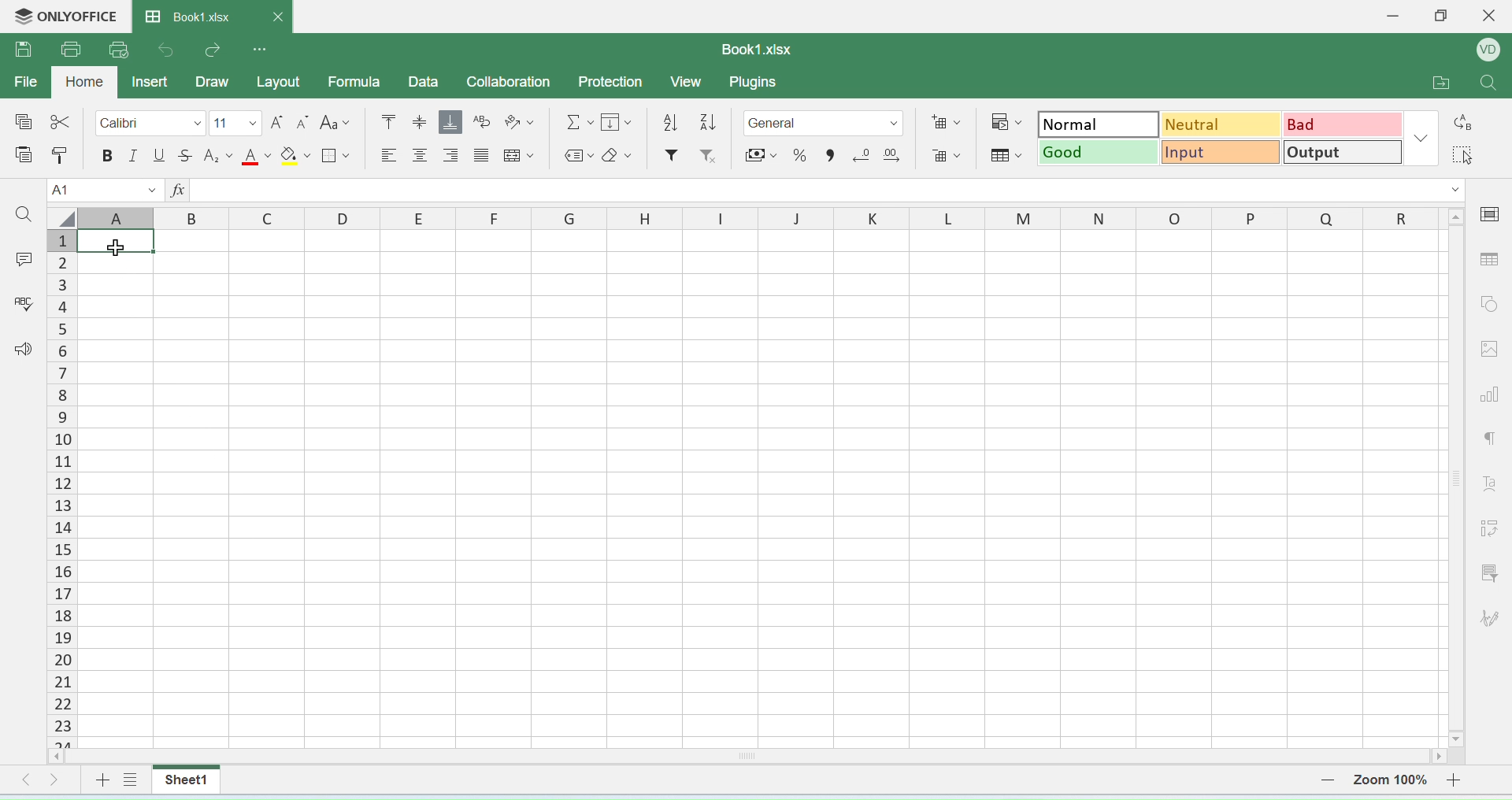 The height and width of the screenshot is (800, 1512). What do you see at coordinates (710, 122) in the screenshot?
I see `ascending order` at bounding box center [710, 122].